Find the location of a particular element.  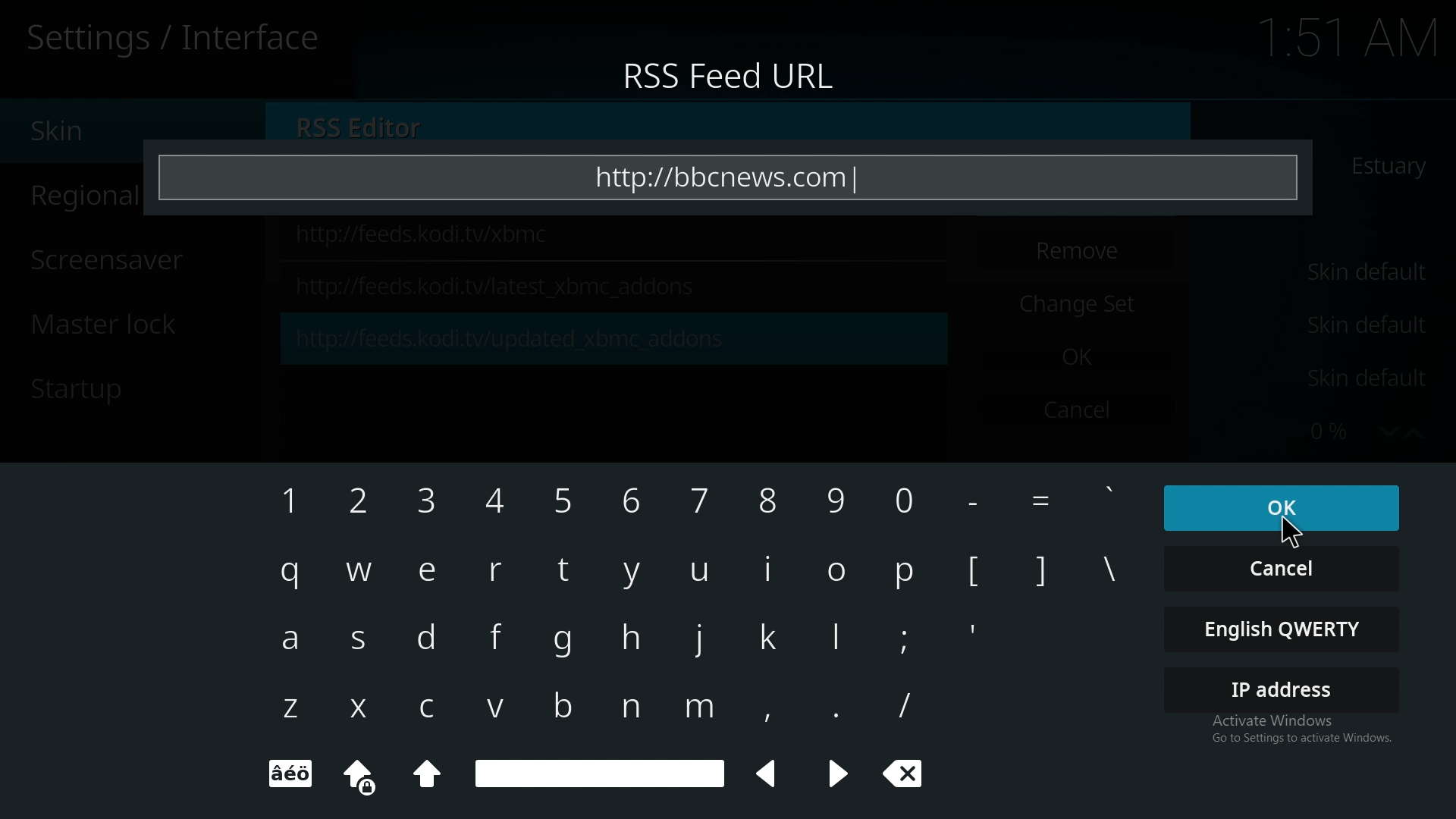

keyboard Input is located at coordinates (563, 567).